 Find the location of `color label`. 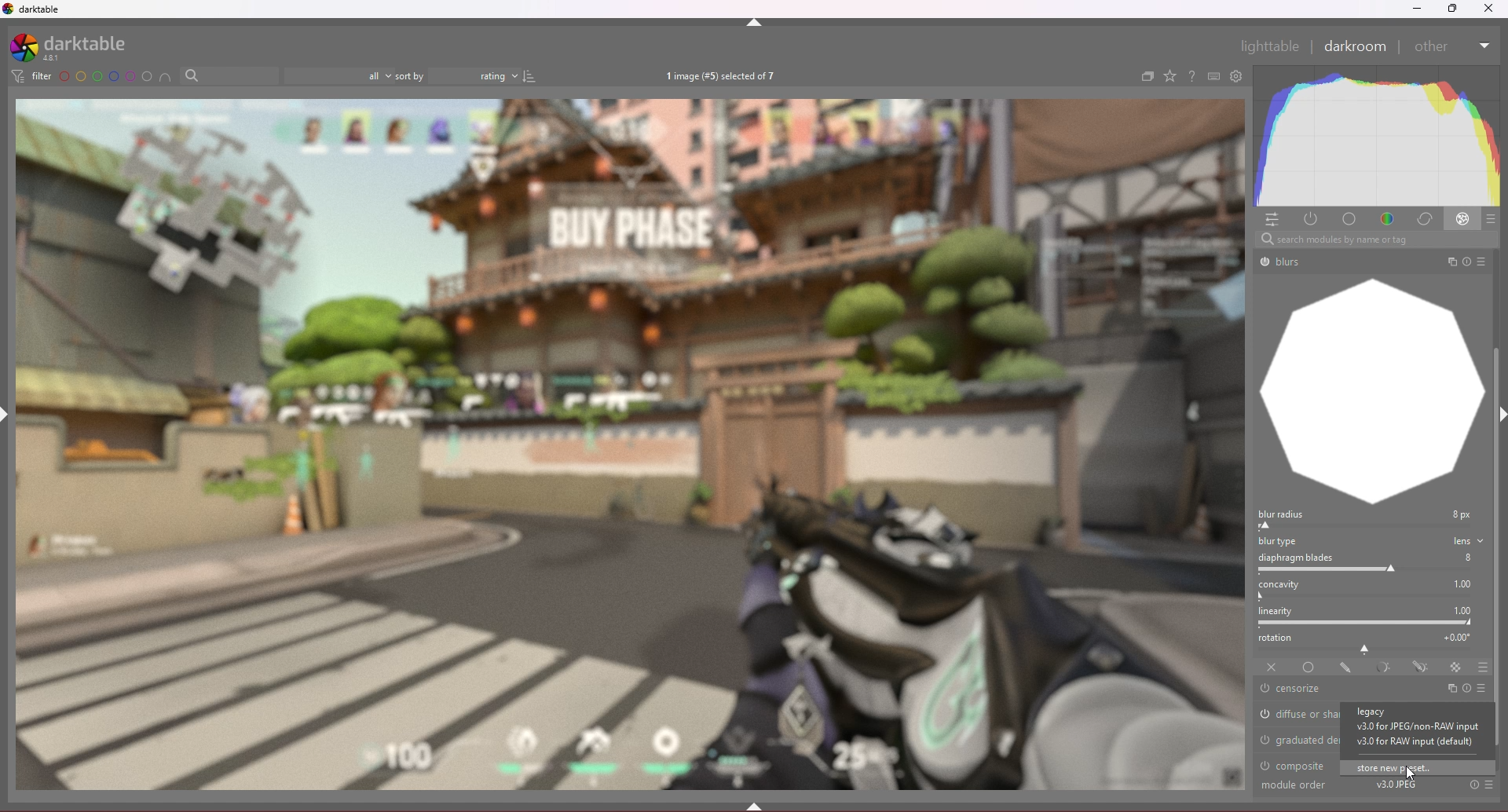

color label is located at coordinates (105, 75).